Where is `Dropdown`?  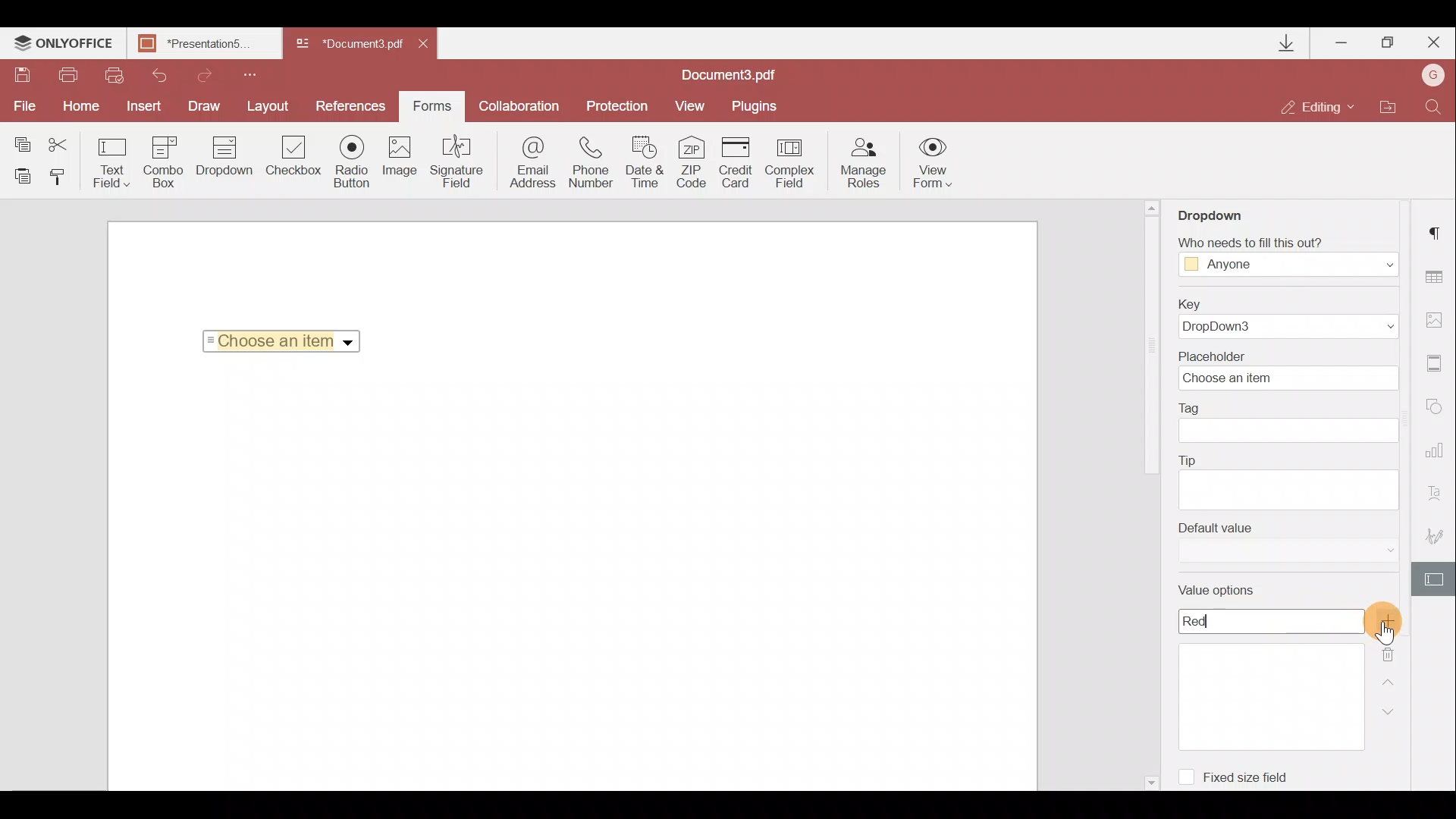
Dropdown is located at coordinates (1216, 214).